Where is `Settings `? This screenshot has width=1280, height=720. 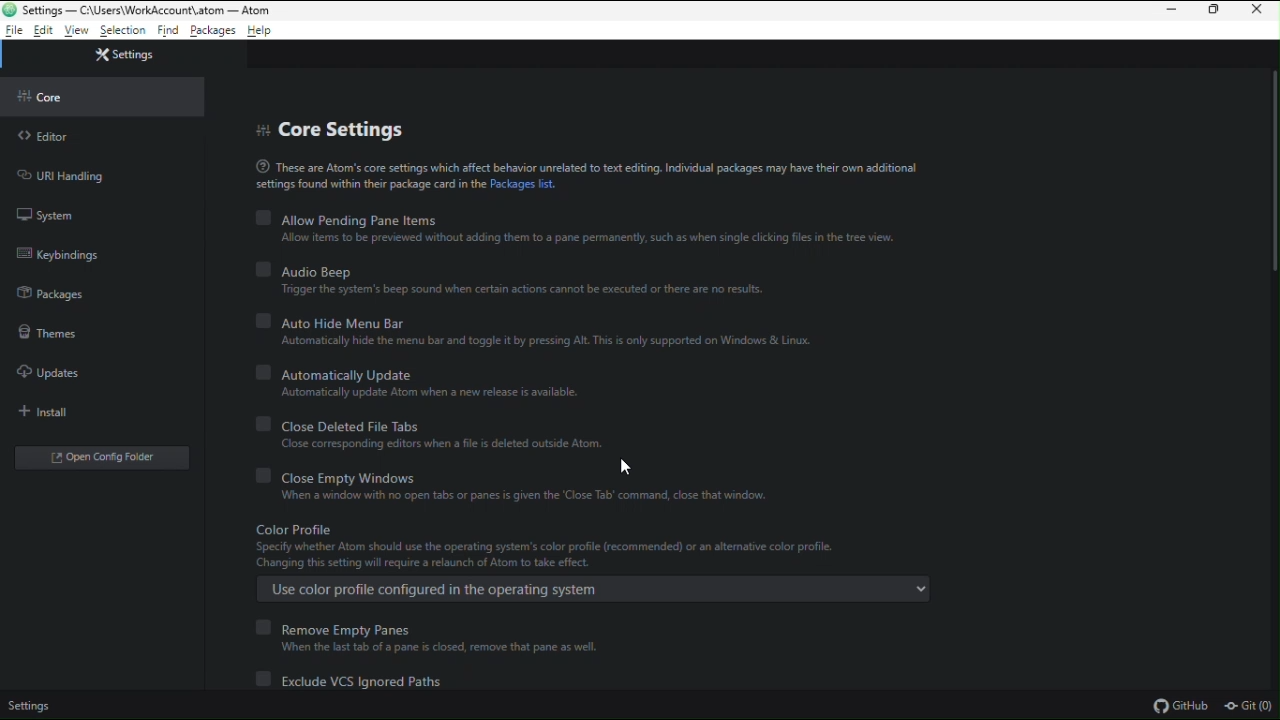
Settings  is located at coordinates (30, 708).